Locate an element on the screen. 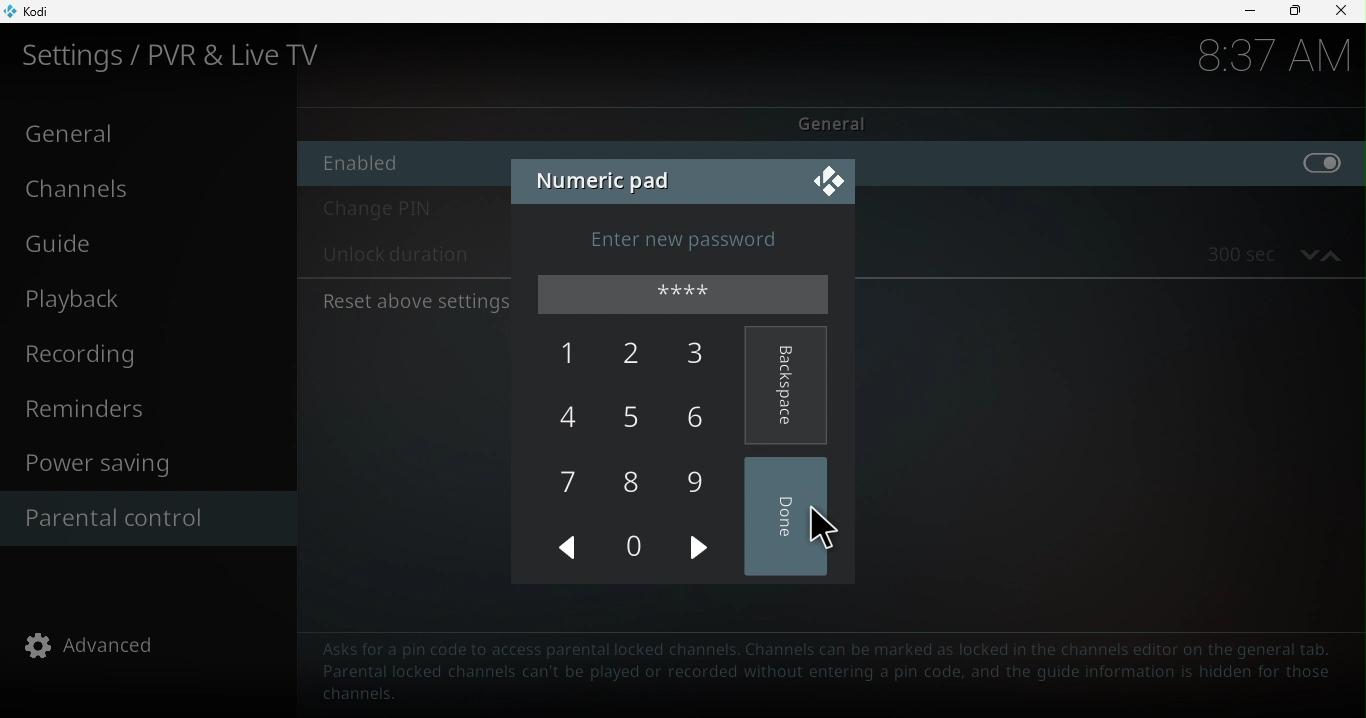 This screenshot has height=718, width=1366. 4 is located at coordinates (574, 421).